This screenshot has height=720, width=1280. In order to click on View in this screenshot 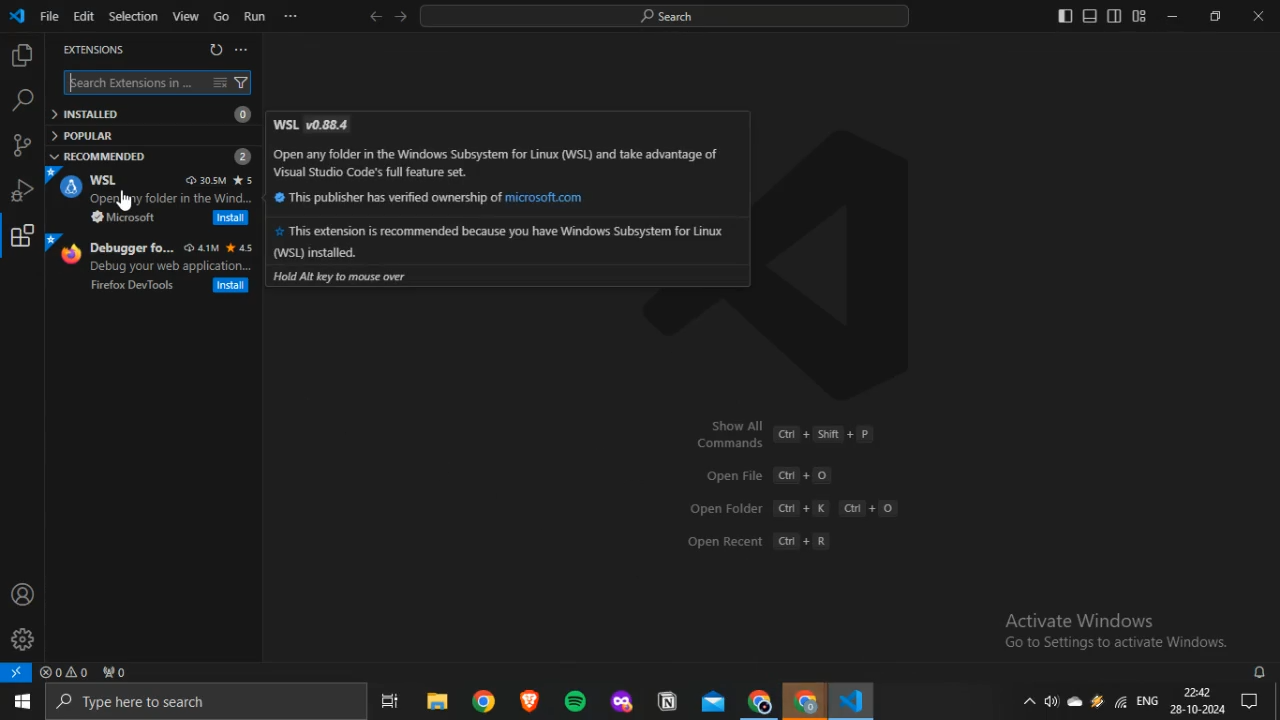, I will do `click(185, 16)`.